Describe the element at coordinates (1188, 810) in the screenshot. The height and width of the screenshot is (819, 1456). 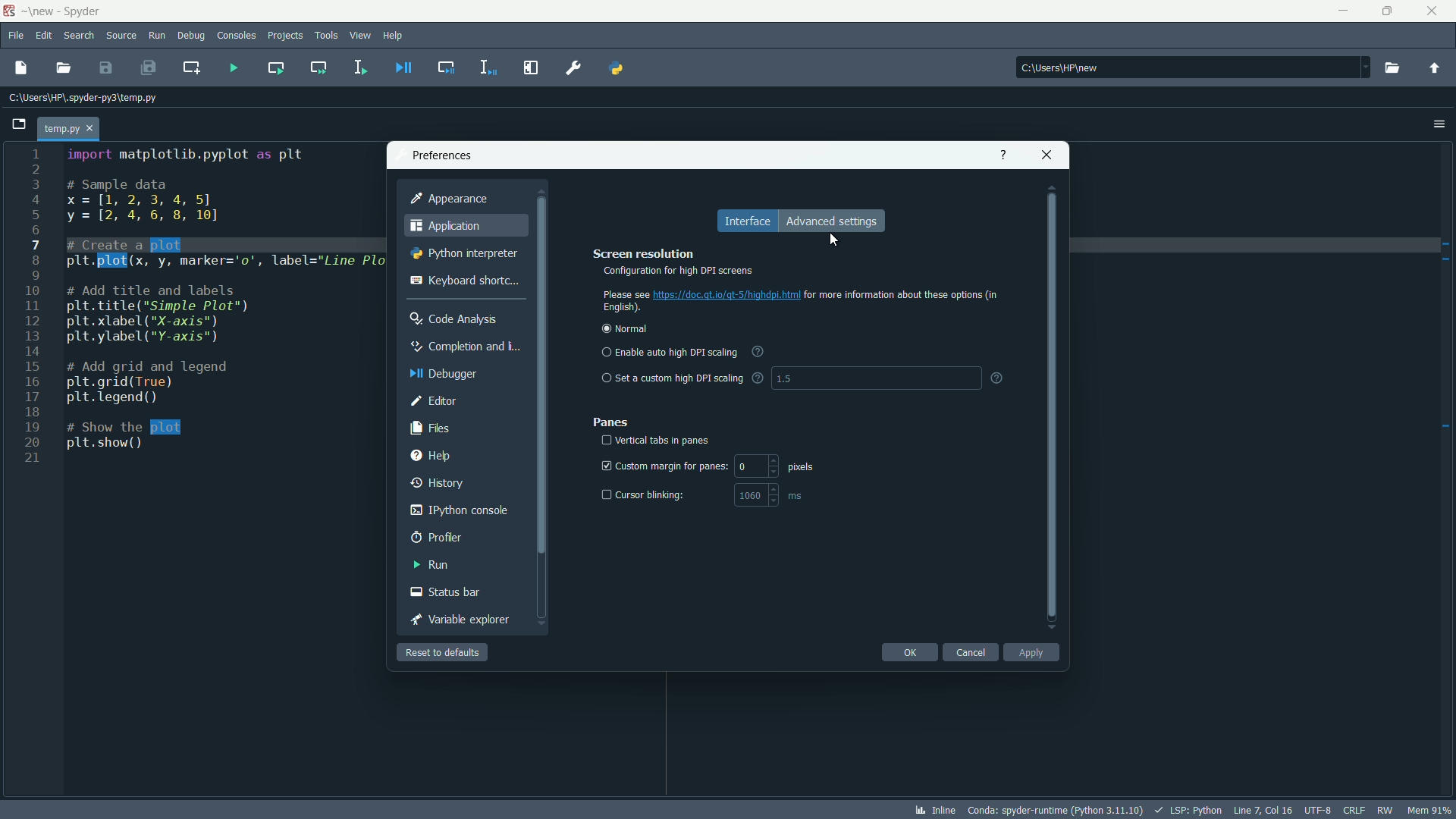
I see `LSP:Python` at that location.